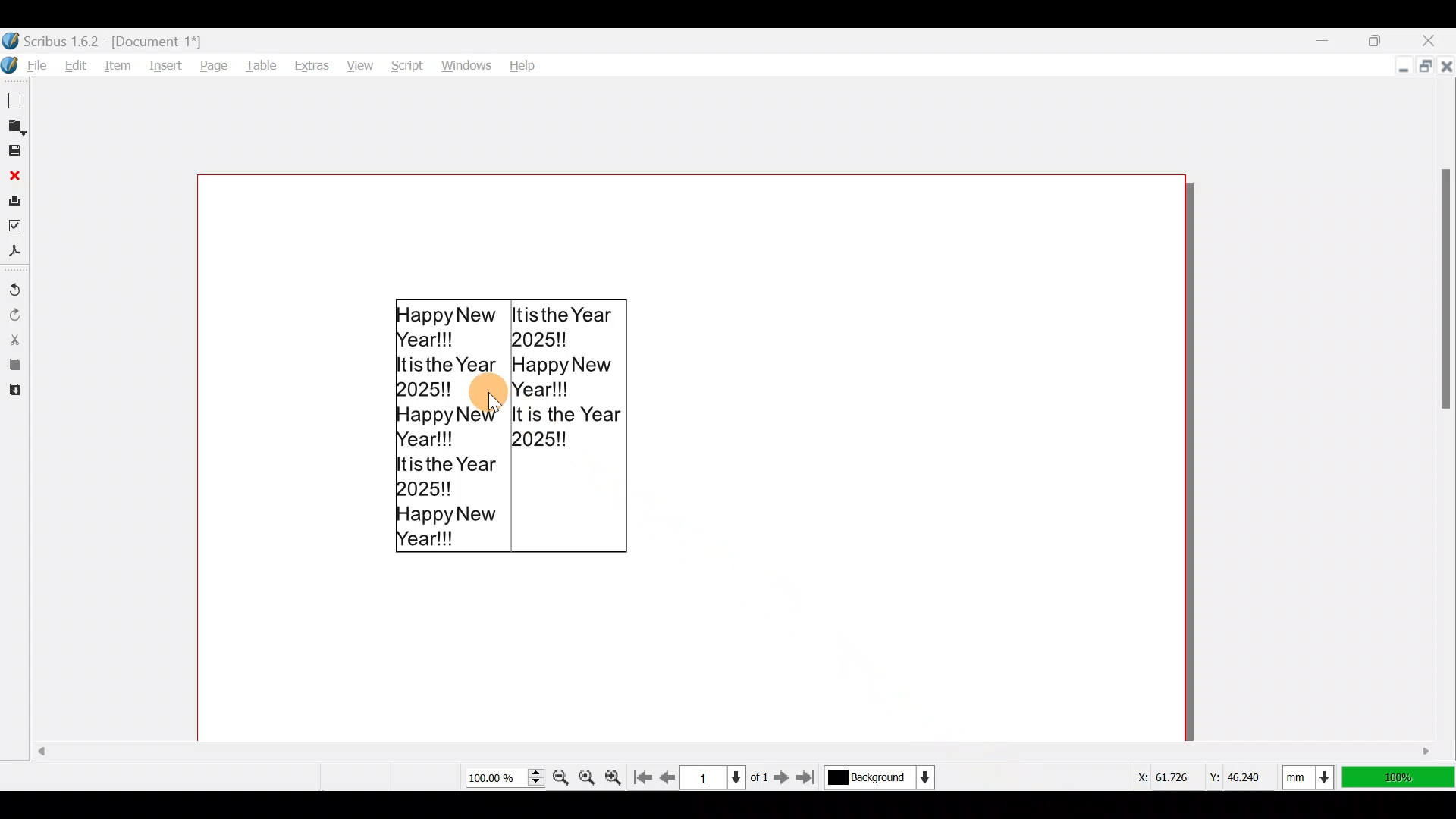 The width and height of the screenshot is (1456, 819). Describe the element at coordinates (1421, 67) in the screenshot. I see `Maximize` at that location.